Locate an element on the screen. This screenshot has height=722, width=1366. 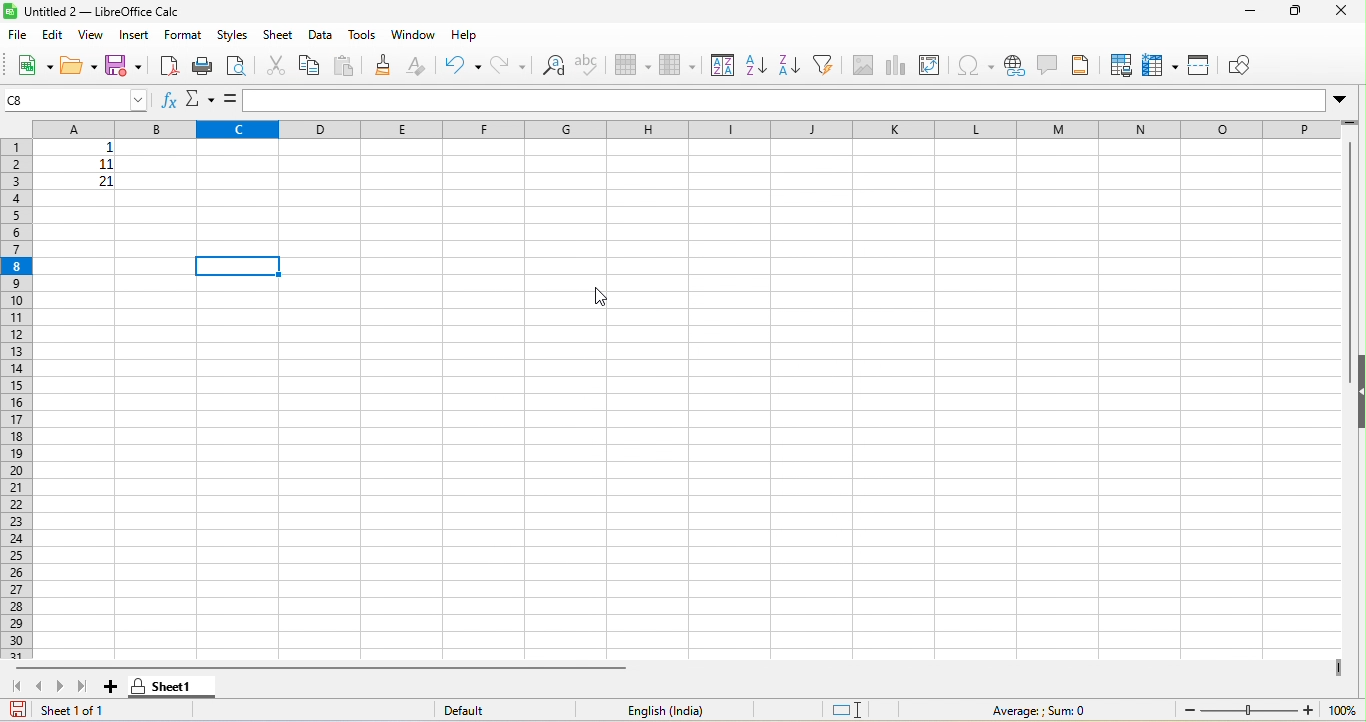
hide is located at coordinates (1357, 396).